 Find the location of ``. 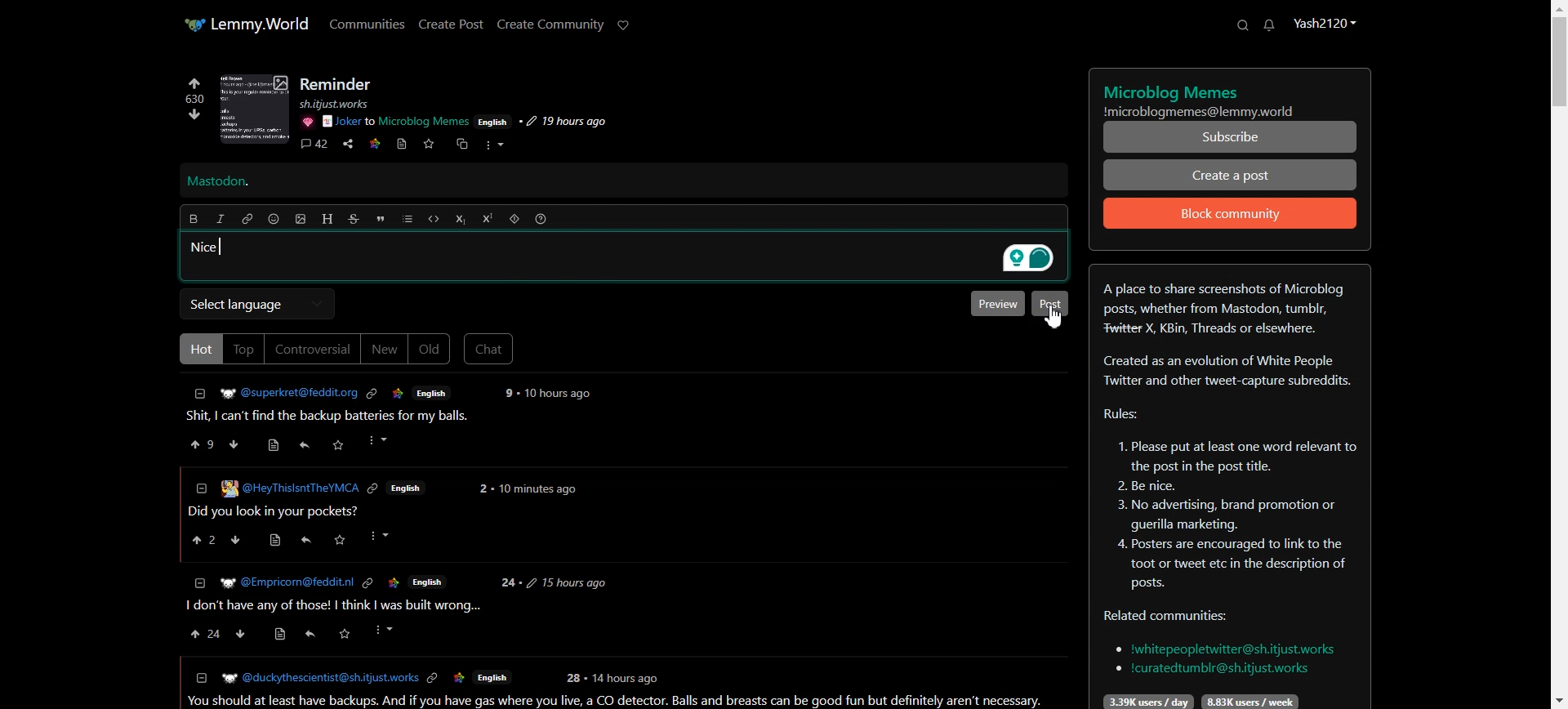

 is located at coordinates (572, 678).